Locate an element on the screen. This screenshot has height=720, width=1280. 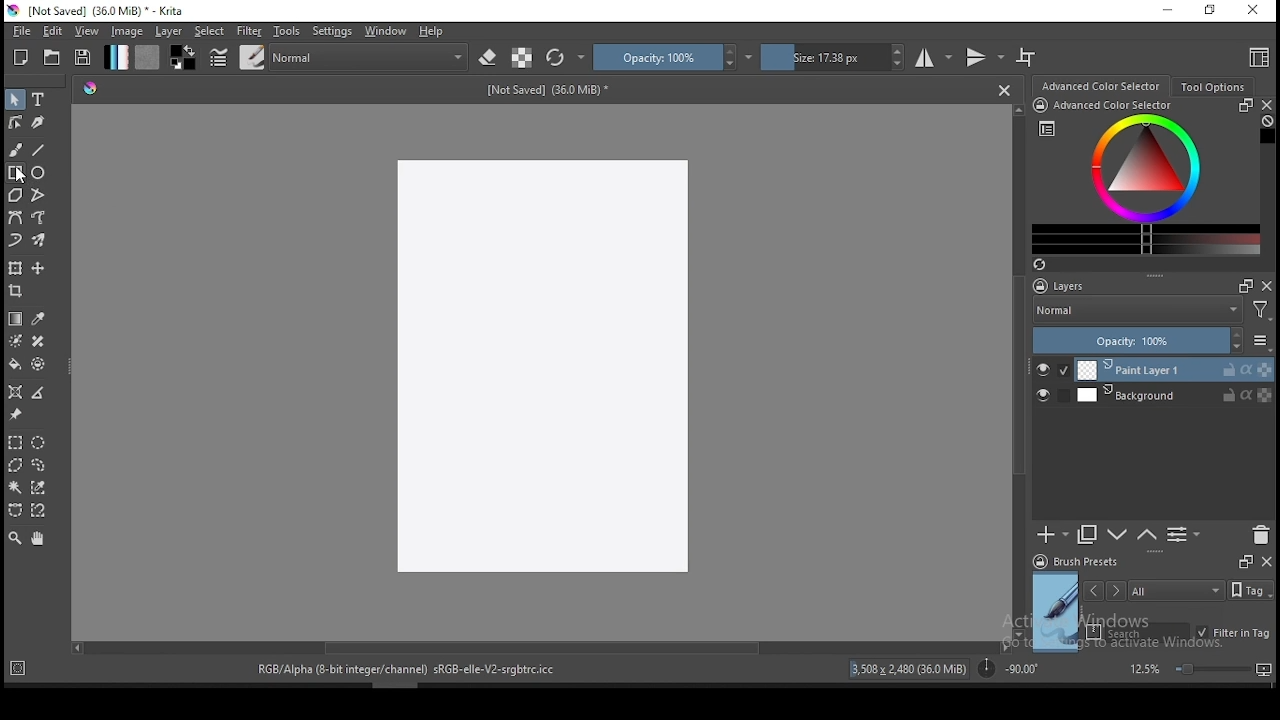
layer is located at coordinates (170, 31).